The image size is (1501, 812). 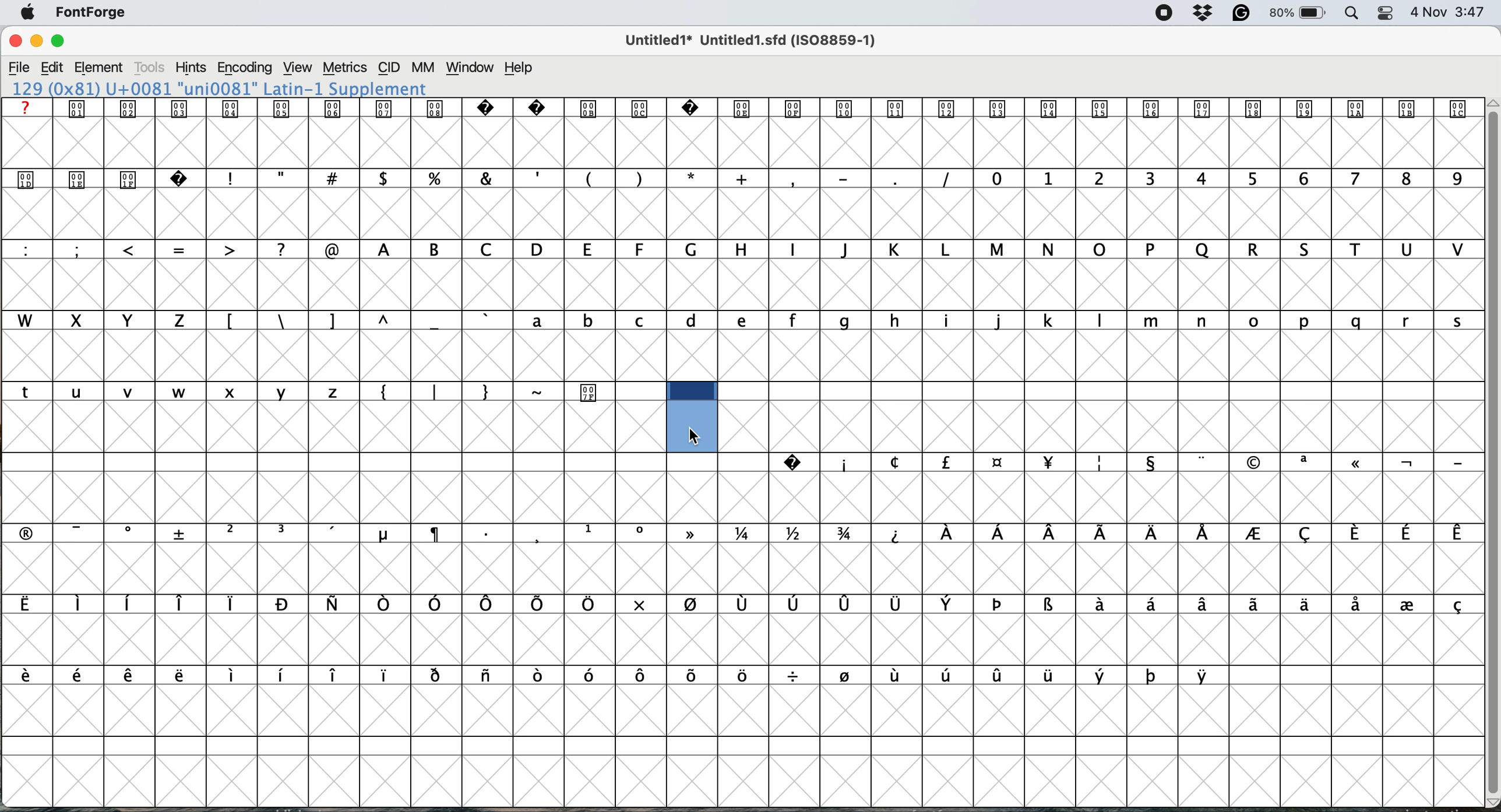 I want to click on cursor, so click(x=693, y=435).